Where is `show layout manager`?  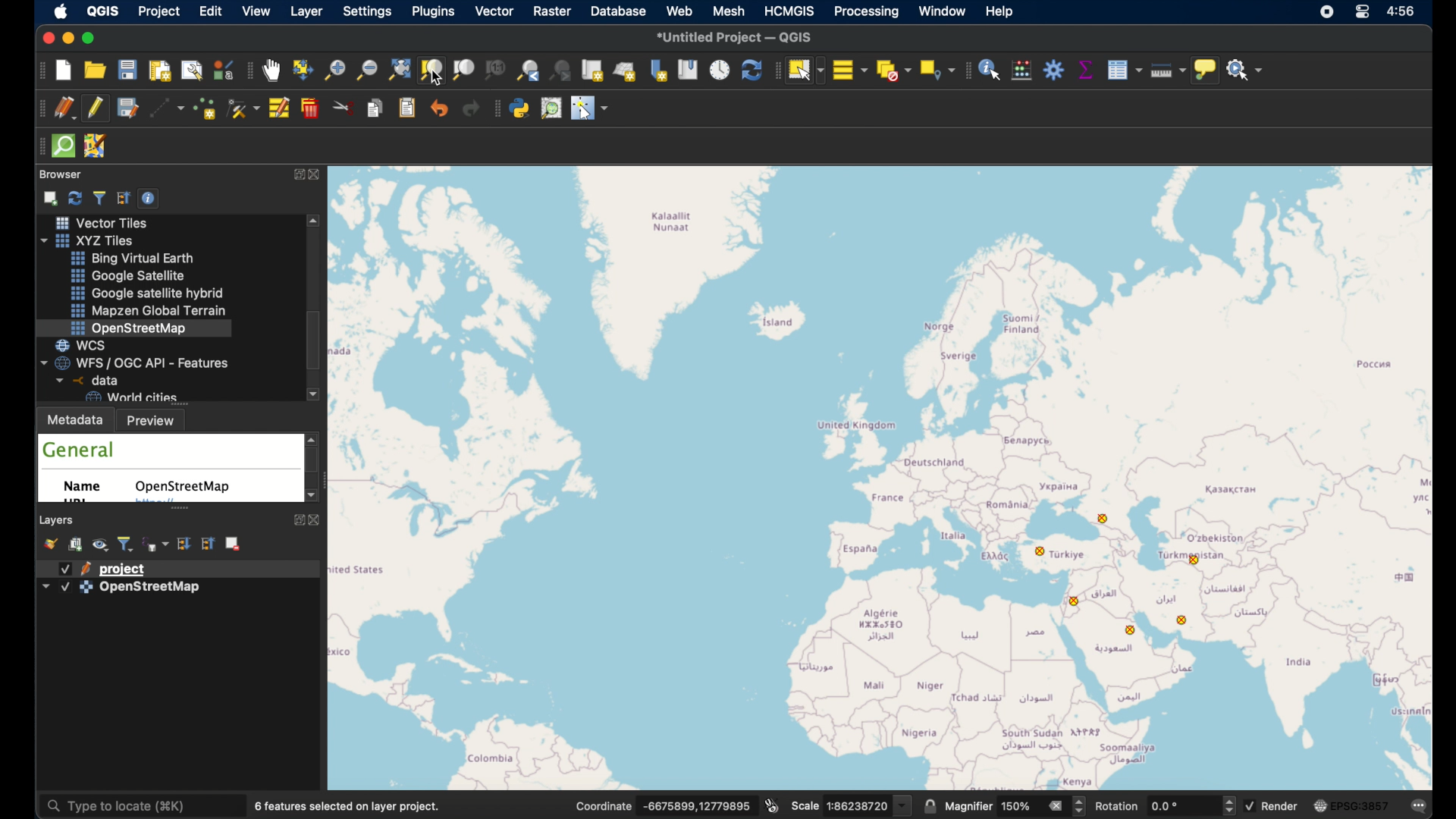 show layout manager is located at coordinates (193, 72).